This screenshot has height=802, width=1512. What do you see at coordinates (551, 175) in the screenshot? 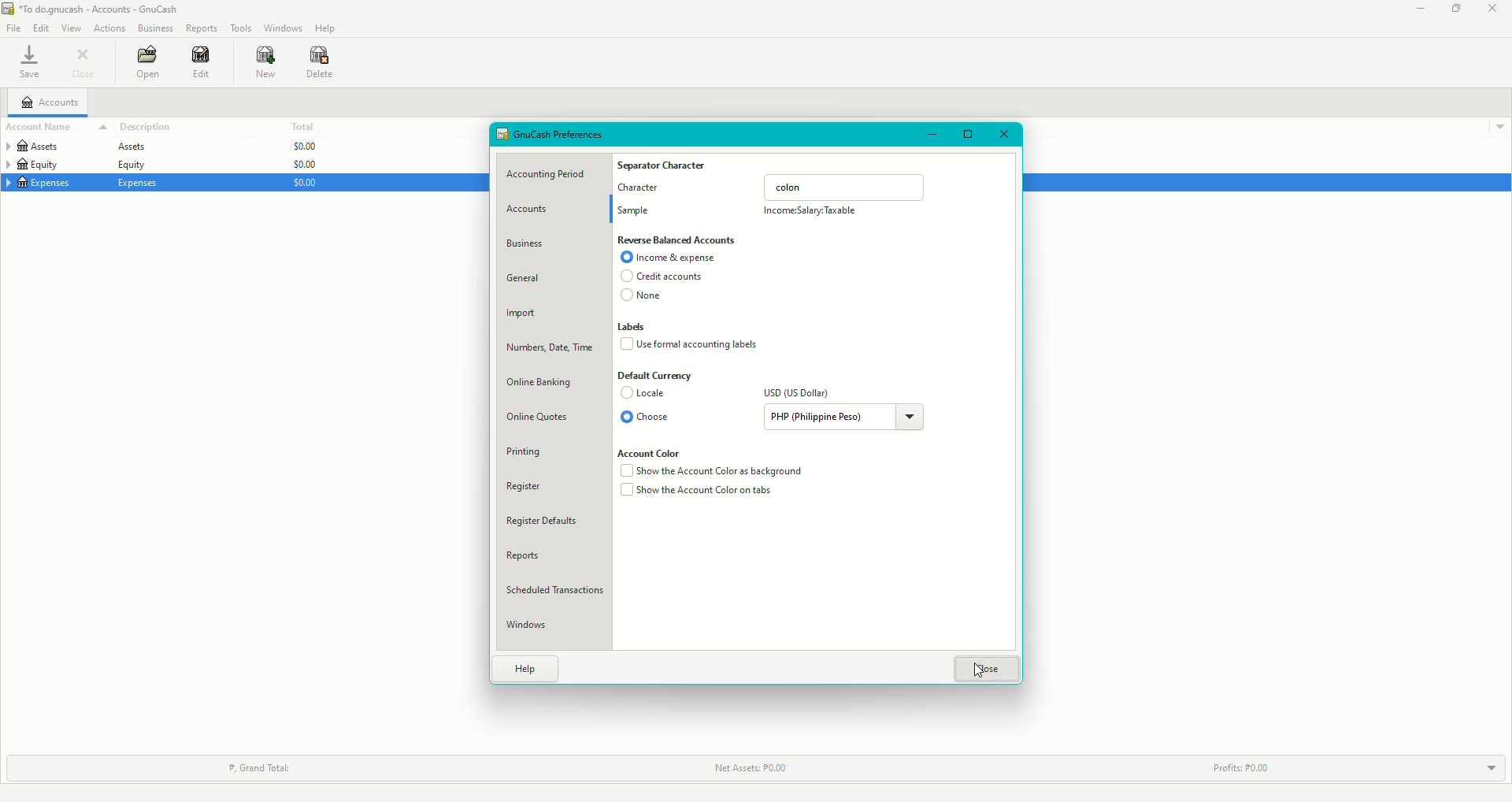
I see `Accounting period` at bounding box center [551, 175].